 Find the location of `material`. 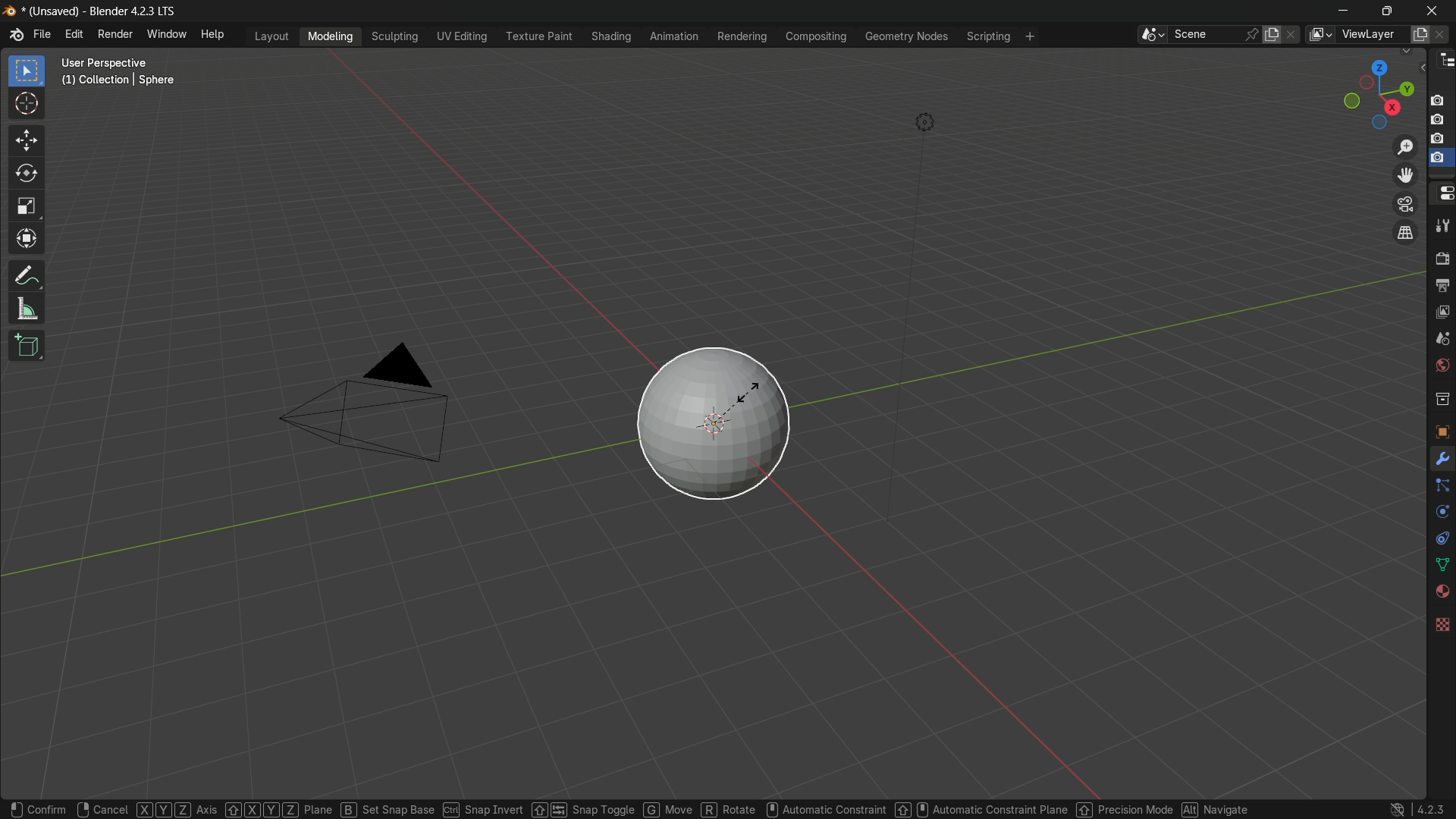

material is located at coordinates (1442, 591).